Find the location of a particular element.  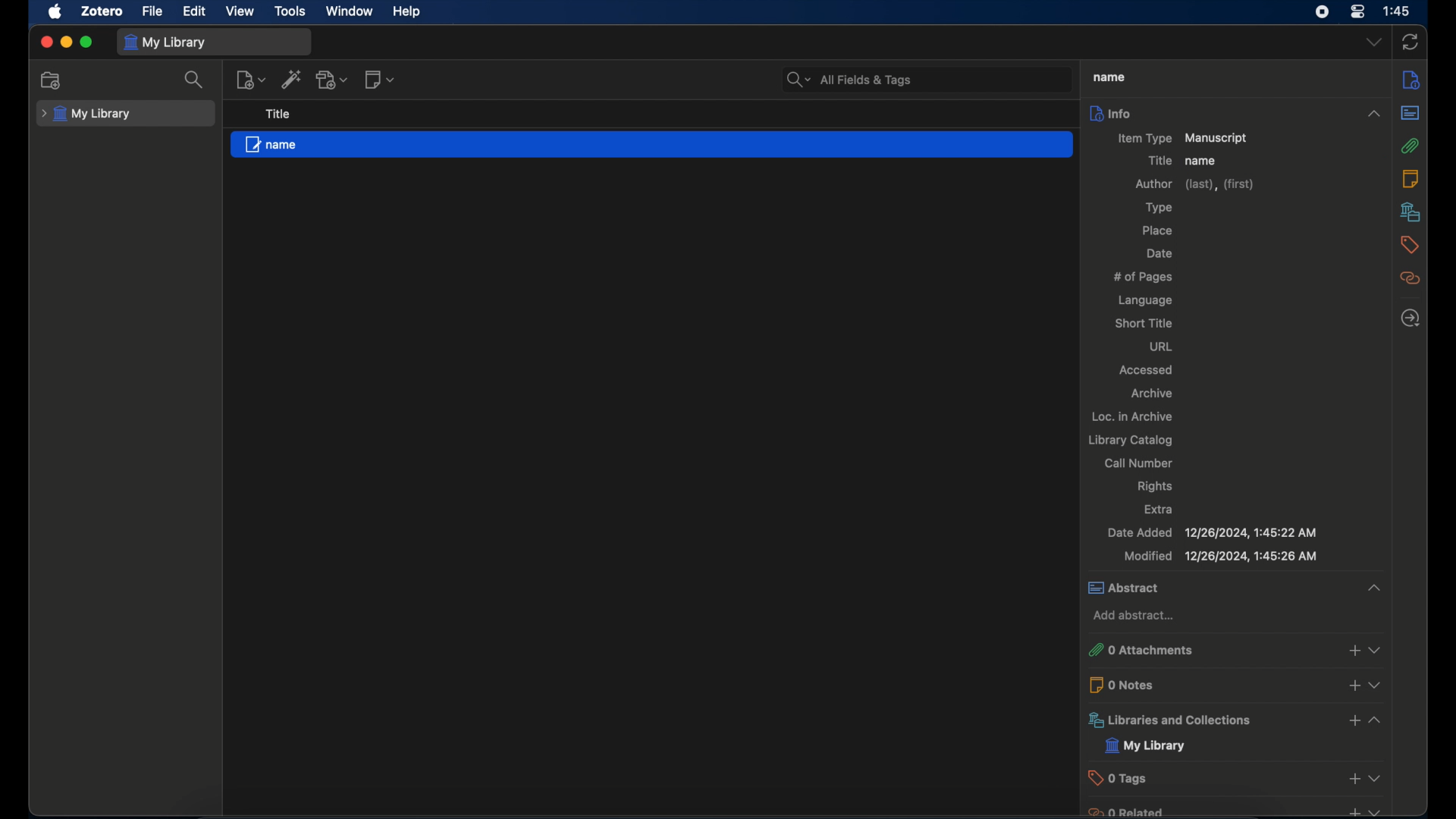

rights is located at coordinates (1156, 487).